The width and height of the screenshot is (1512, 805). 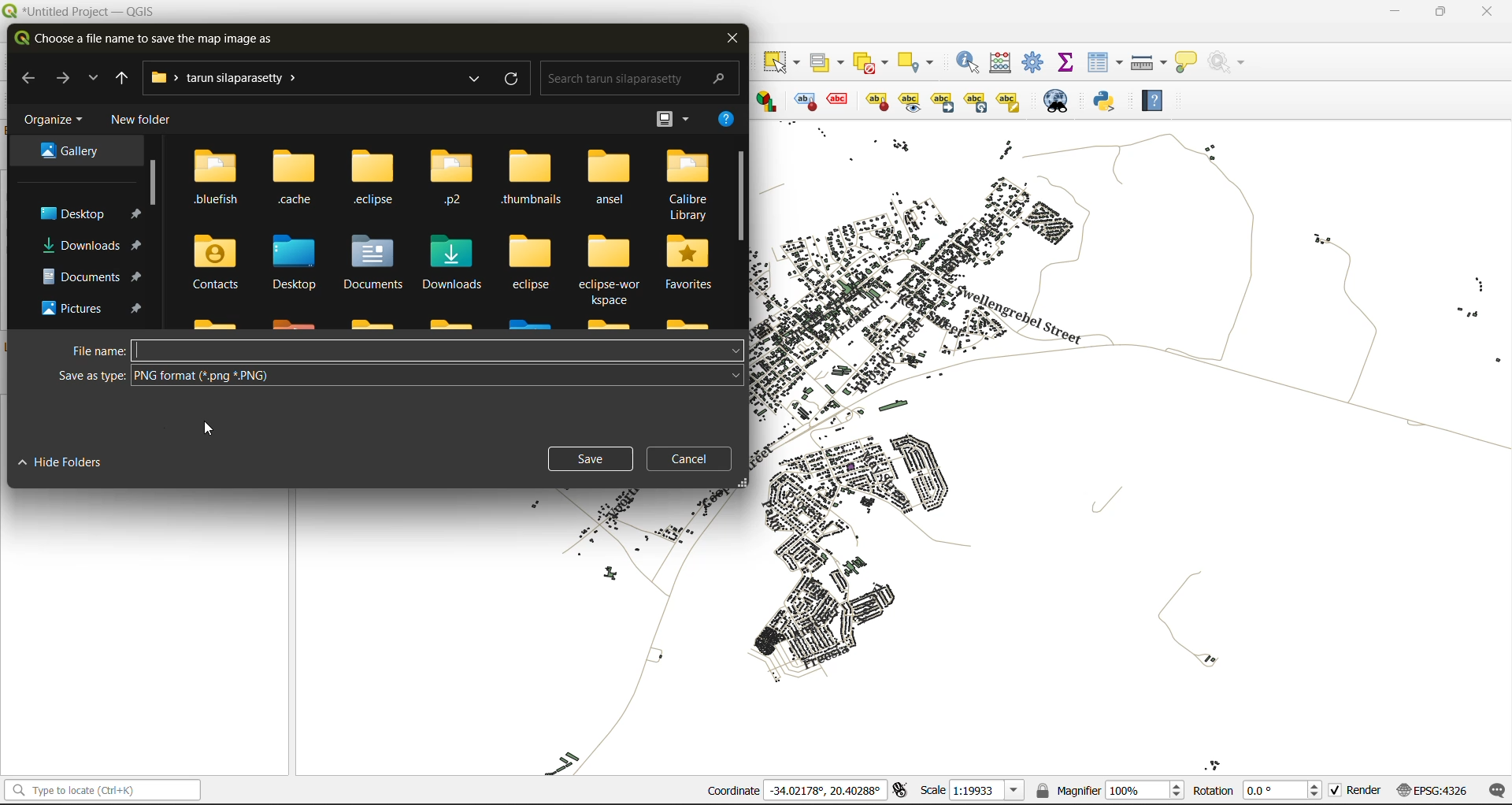 What do you see at coordinates (233, 79) in the screenshot?
I see `file path` at bounding box center [233, 79].